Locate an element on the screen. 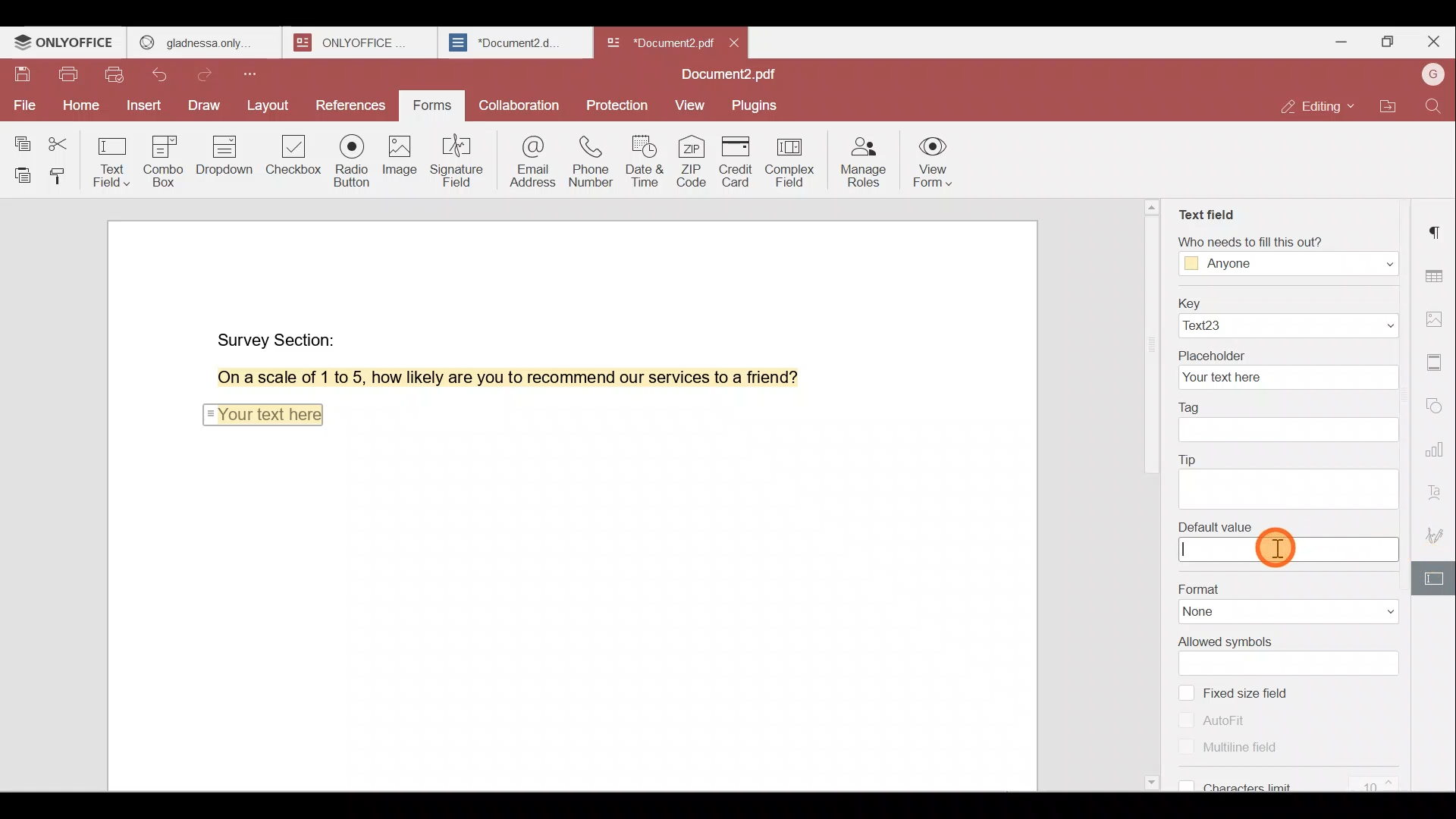 The width and height of the screenshot is (1456, 819). Account name is located at coordinates (1432, 76).